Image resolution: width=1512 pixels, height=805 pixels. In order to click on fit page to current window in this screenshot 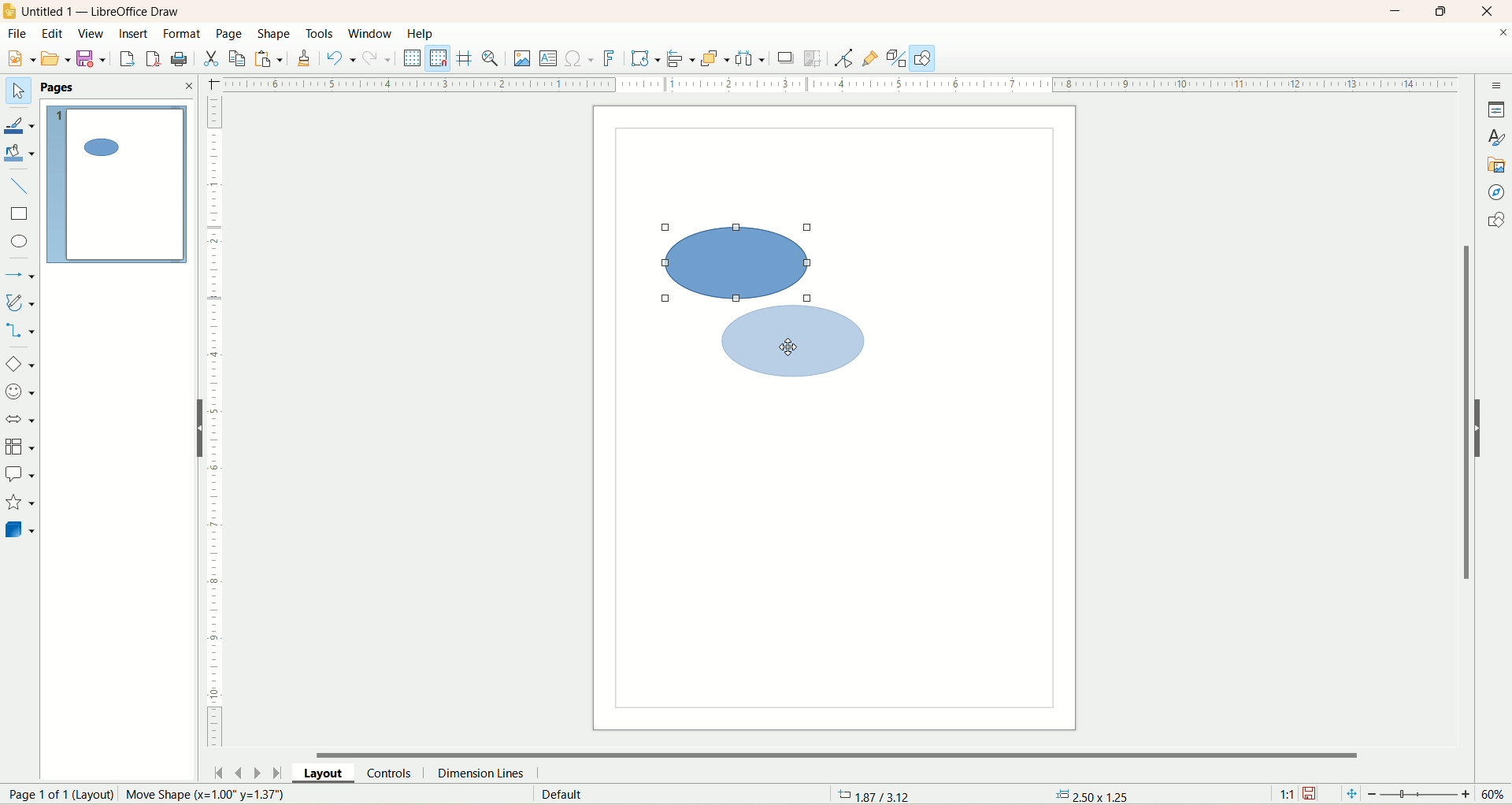, I will do `click(1349, 794)`.